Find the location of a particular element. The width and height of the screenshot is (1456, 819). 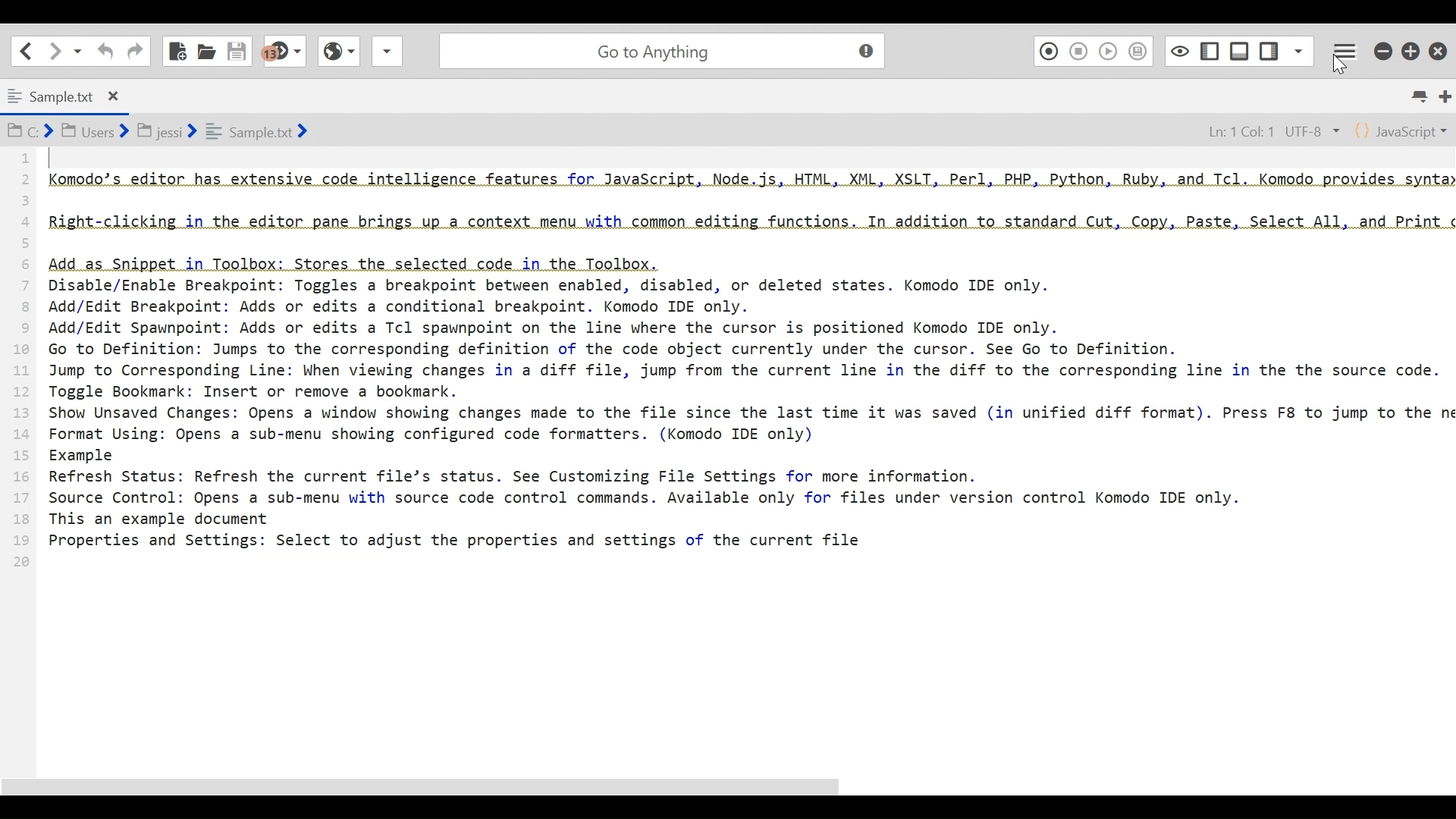

Search is located at coordinates (659, 49).